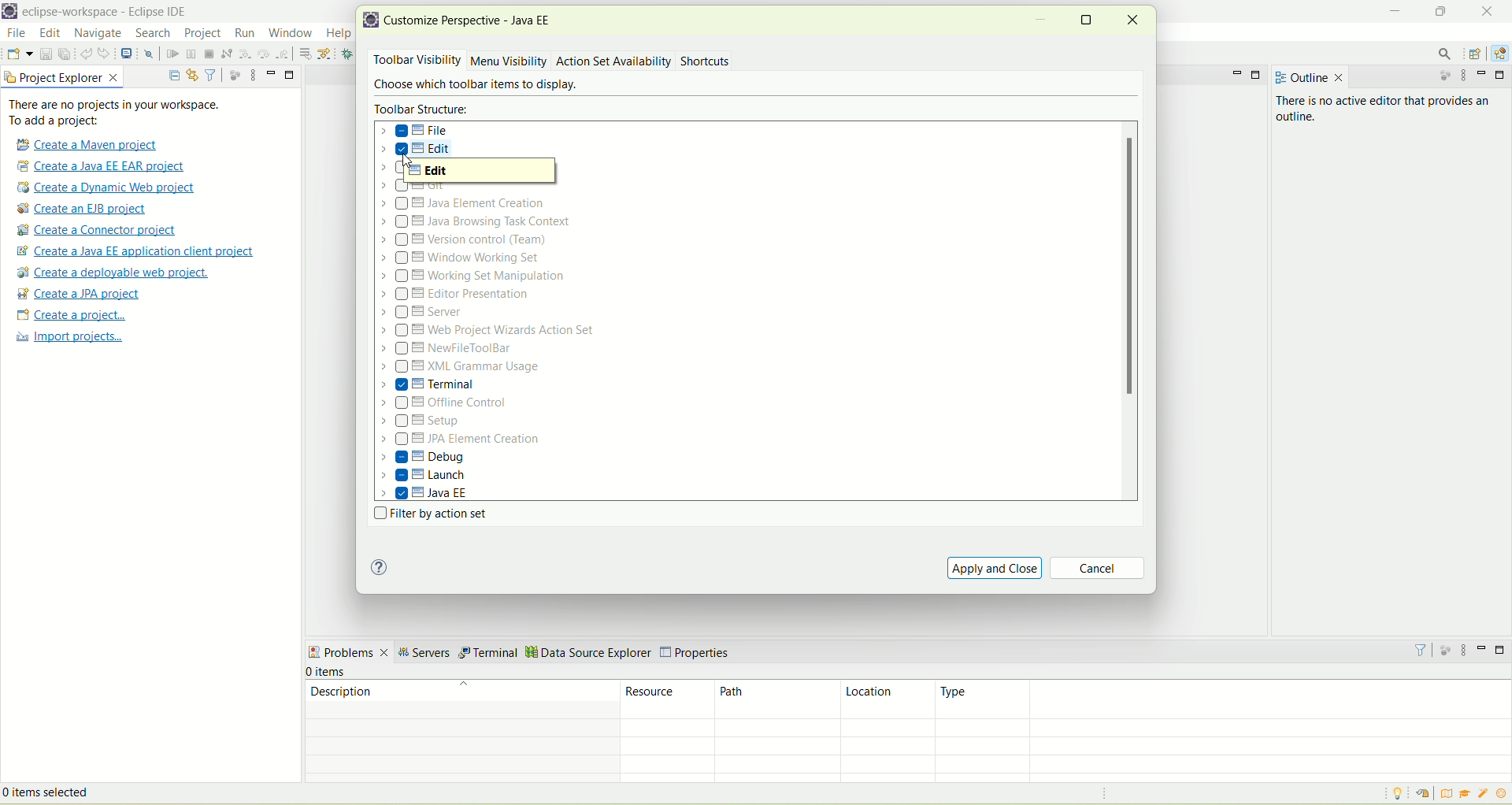 The width and height of the screenshot is (1512, 805). What do you see at coordinates (778, 700) in the screenshot?
I see `path` at bounding box center [778, 700].